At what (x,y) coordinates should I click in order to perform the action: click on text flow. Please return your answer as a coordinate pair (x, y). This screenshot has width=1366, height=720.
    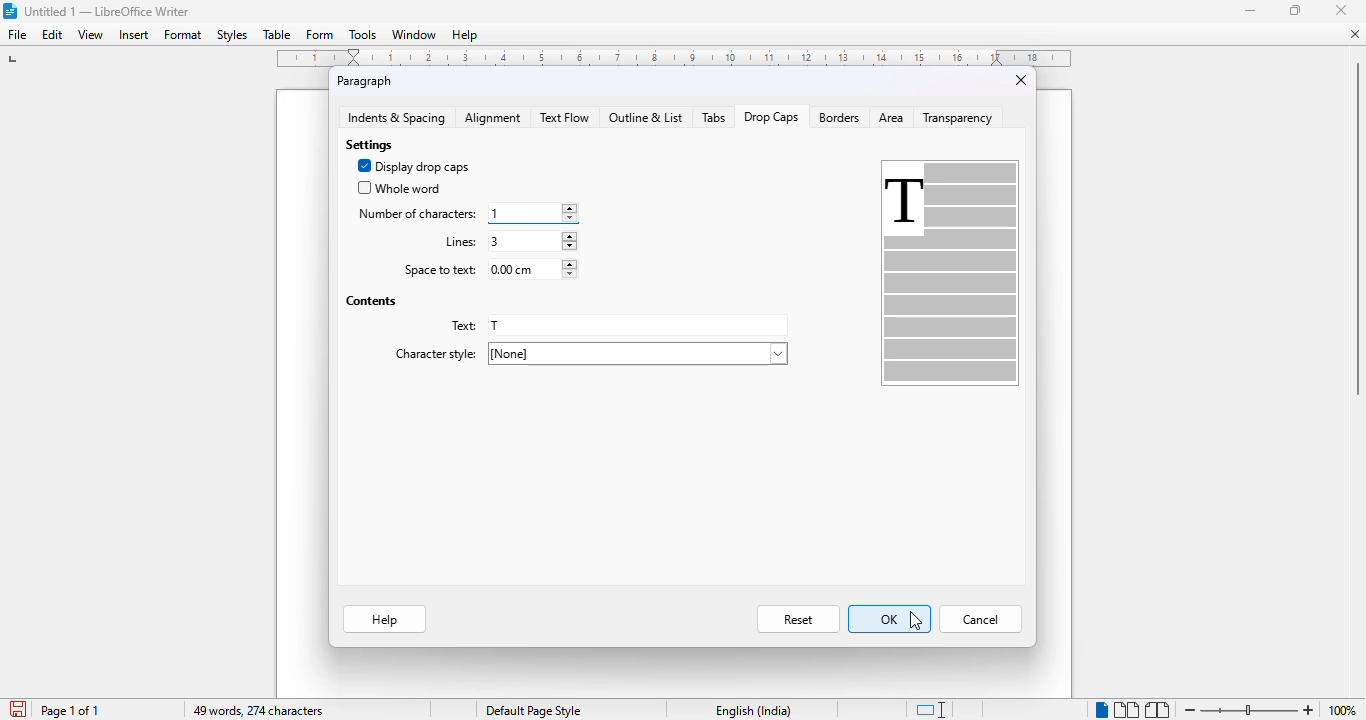
    Looking at the image, I should click on (565, 118).